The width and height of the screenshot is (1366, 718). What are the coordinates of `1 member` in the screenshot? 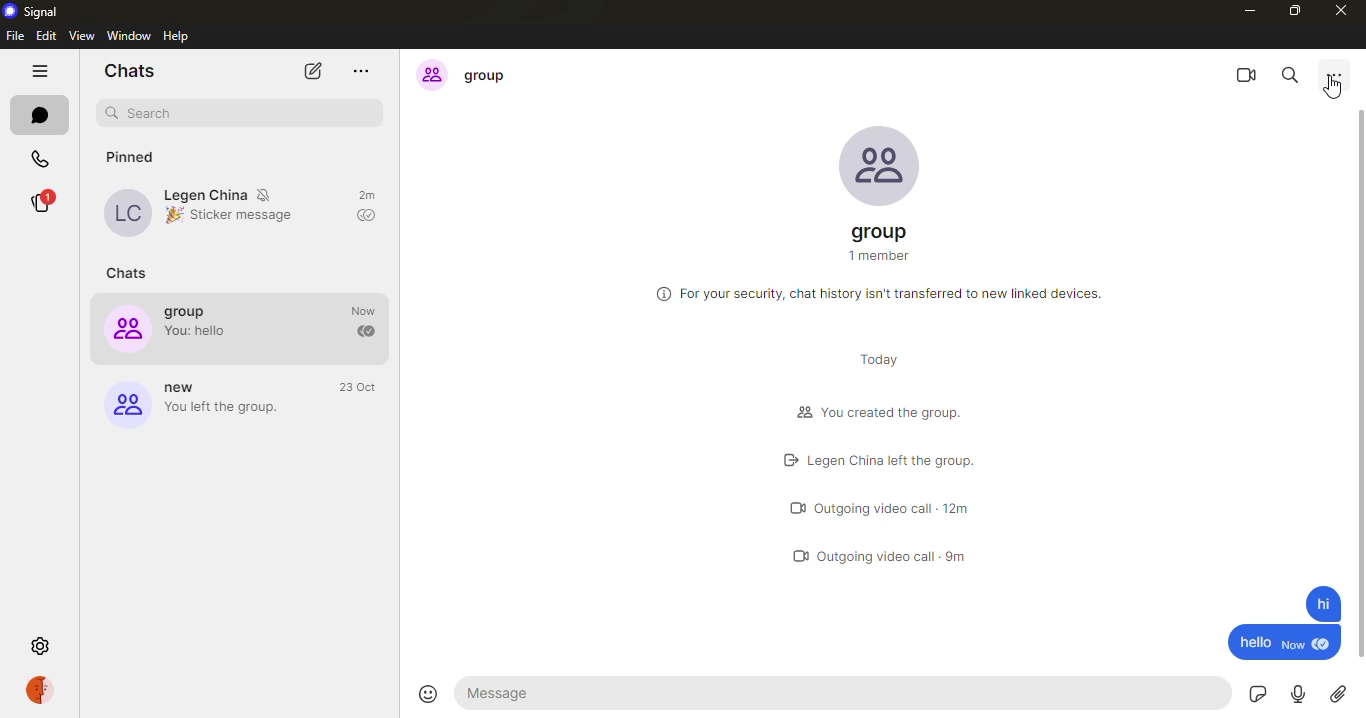 It's located at (880, 256).